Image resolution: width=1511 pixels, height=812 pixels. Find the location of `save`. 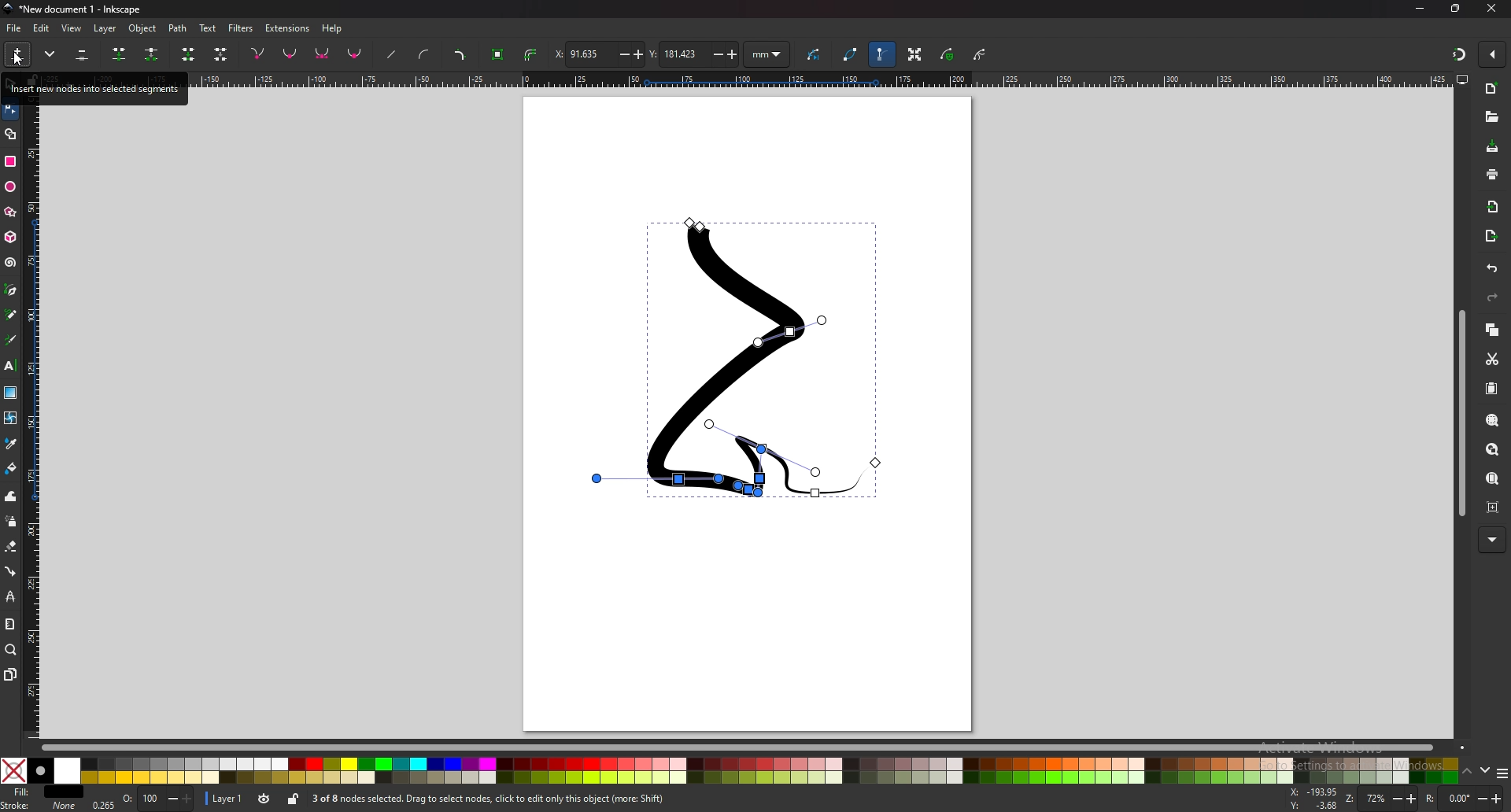

save is located at coordinates (1491, 148).